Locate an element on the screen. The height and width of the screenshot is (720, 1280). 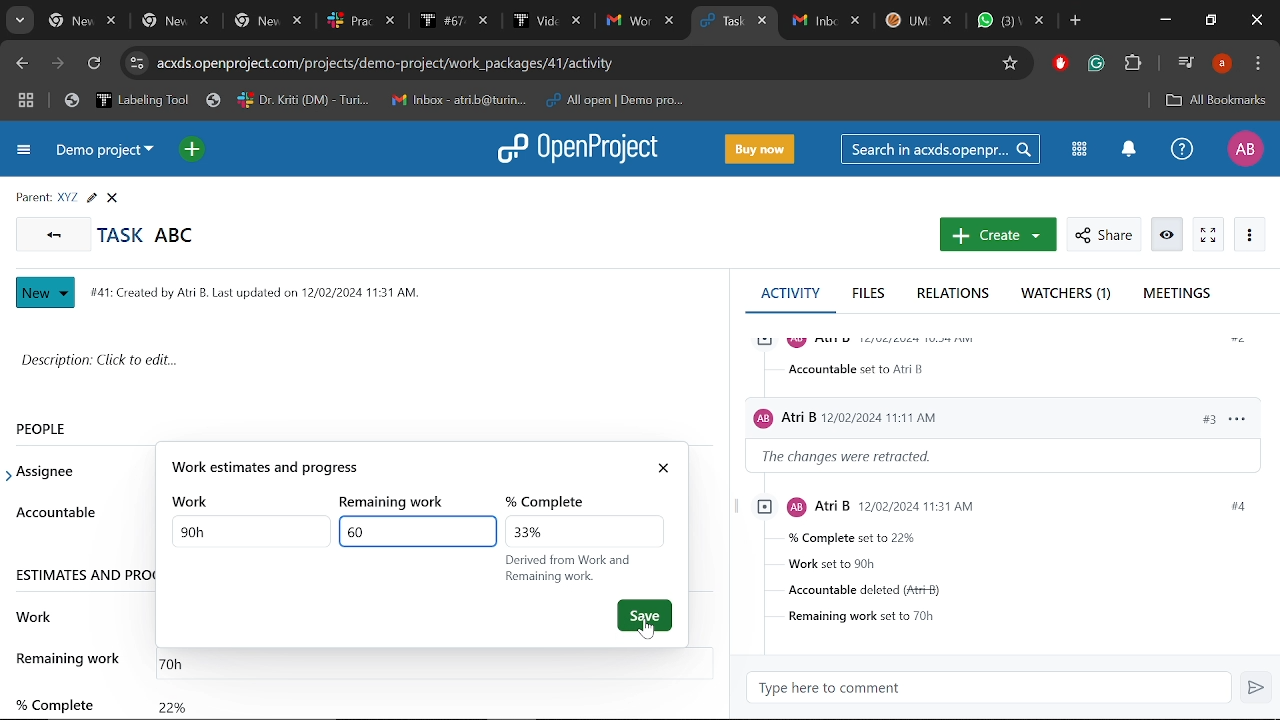
Files is located at coordinates (870, 295).